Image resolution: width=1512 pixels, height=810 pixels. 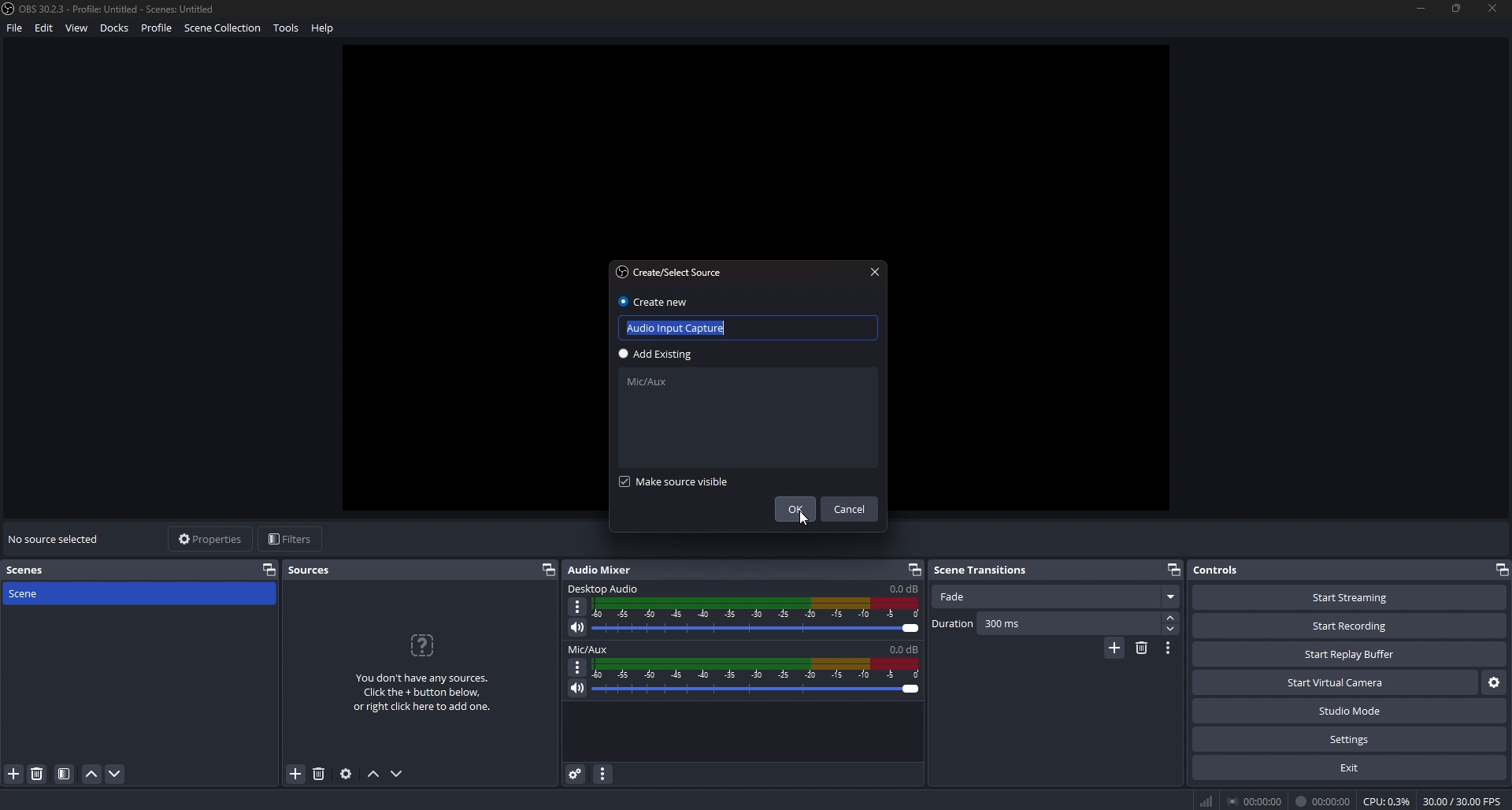 I want to click on start streaming, so click(x=1350, y=597).